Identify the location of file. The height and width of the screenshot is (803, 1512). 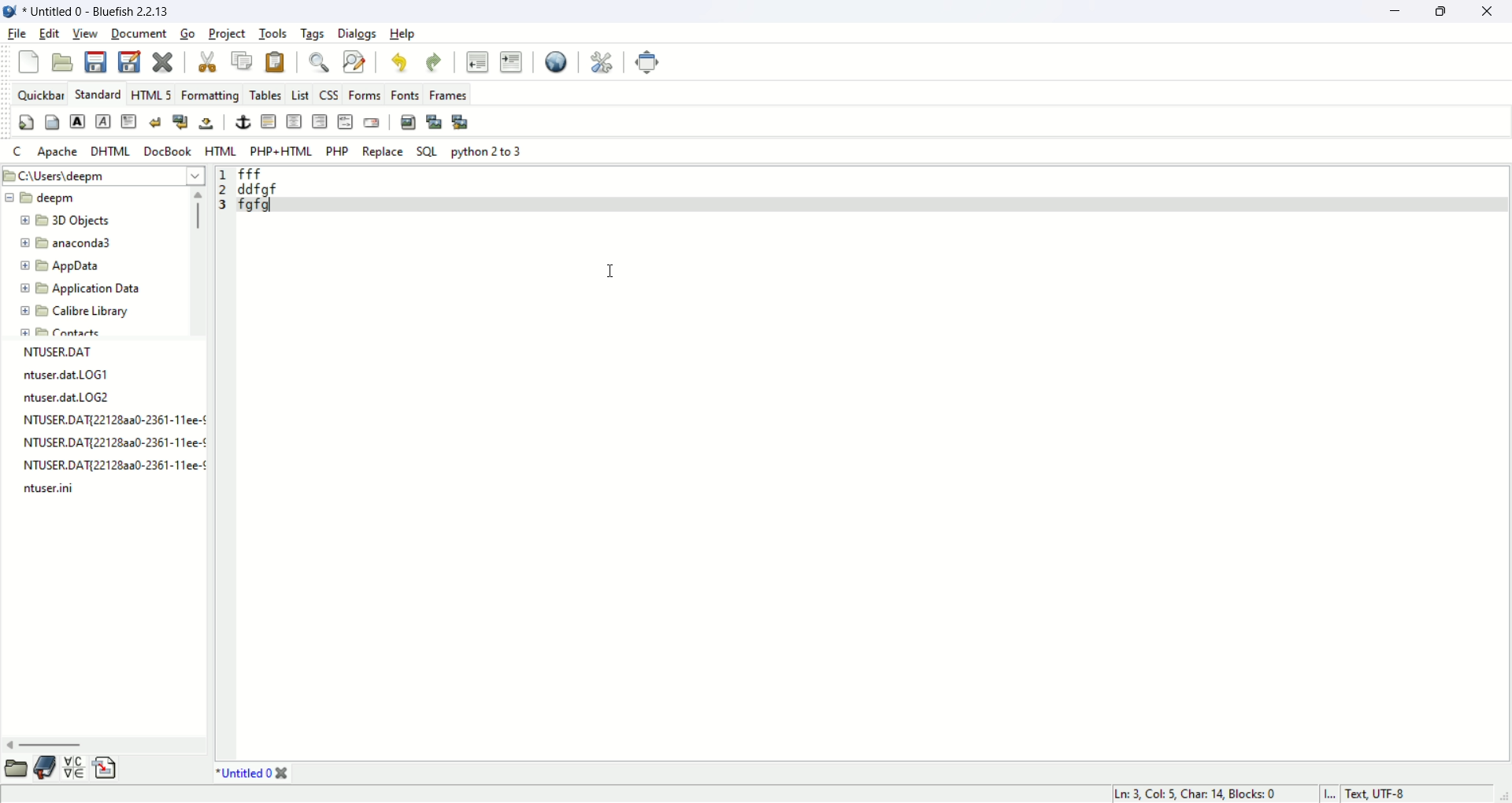
(17, 34).